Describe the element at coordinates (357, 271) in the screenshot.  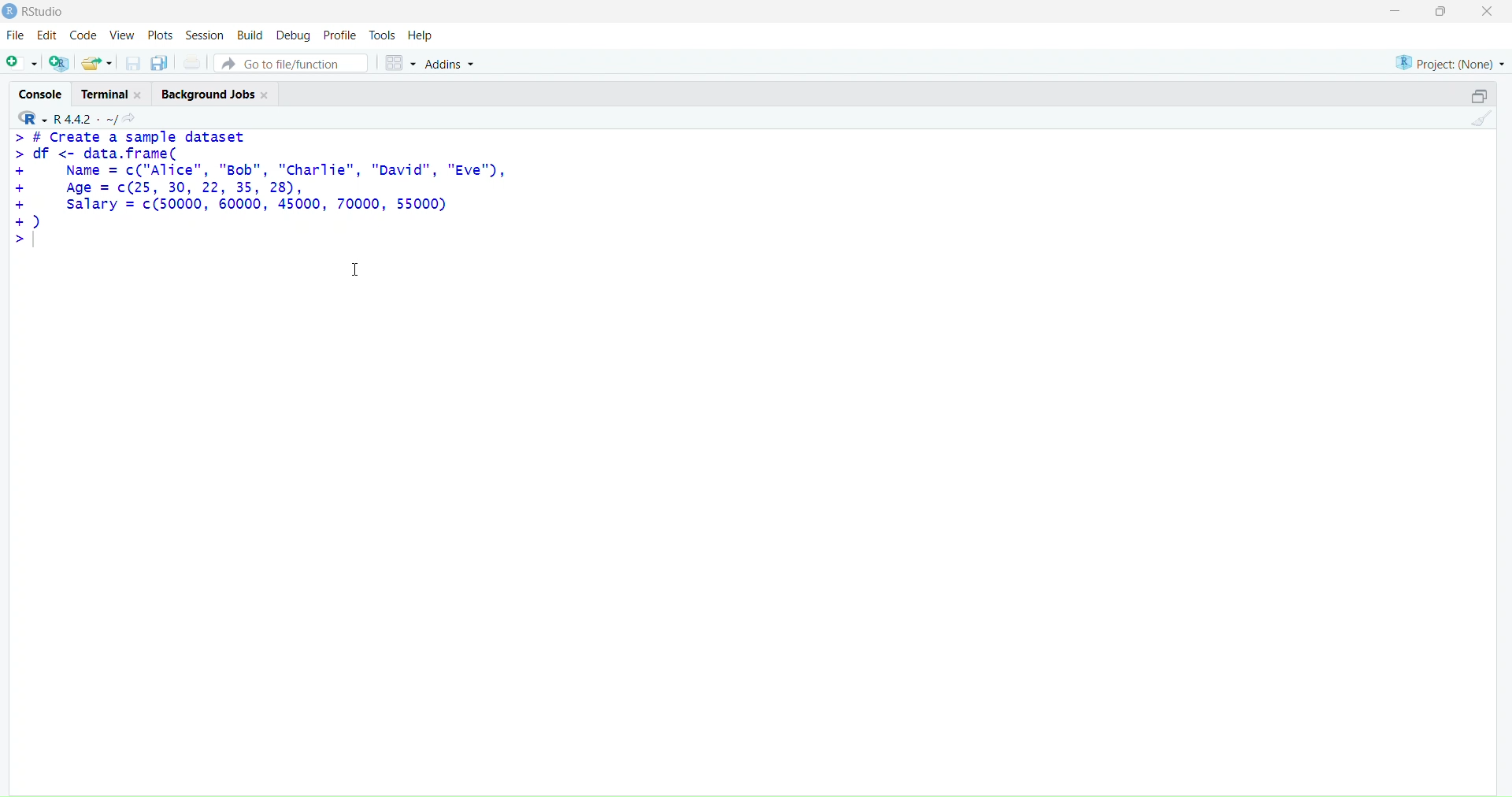
I see `cursor` at that location.